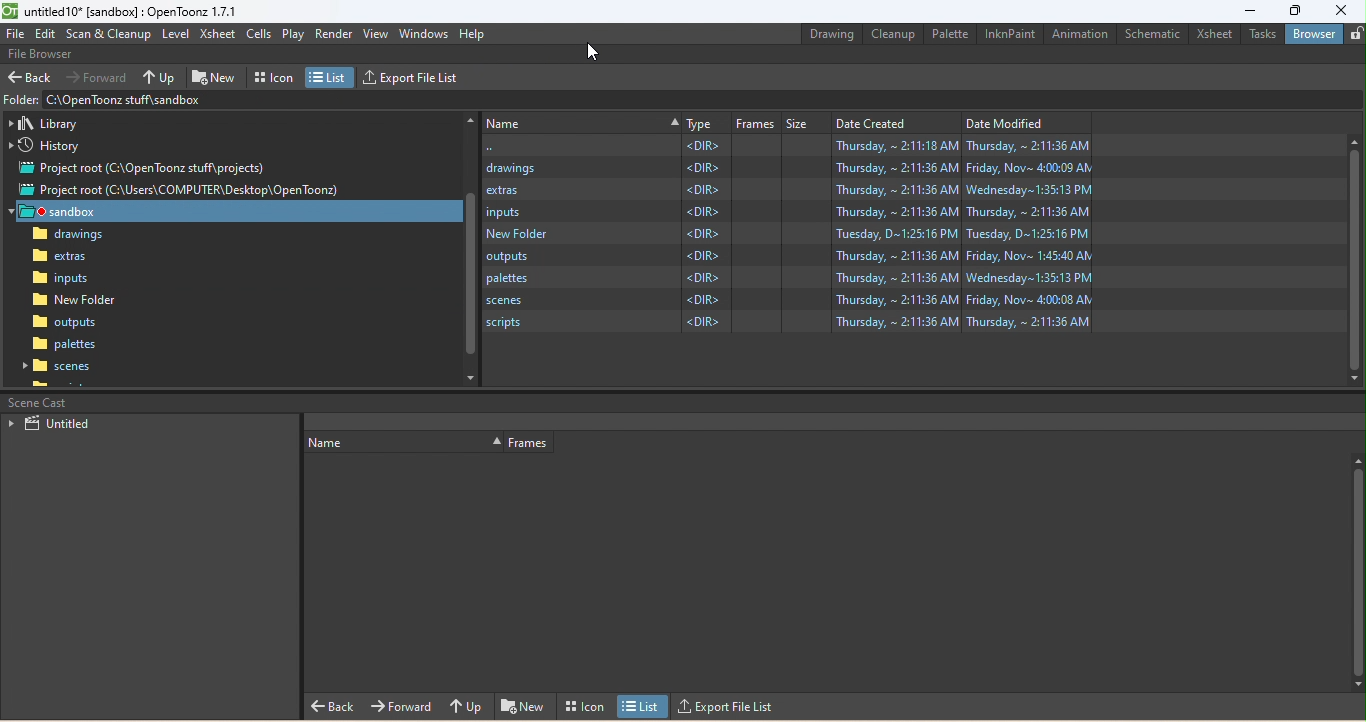 The height and width of the screenshot is (722, 1366). Describe the element at coordinates (162, 76) in the screenshot. I see `Up` at that location.